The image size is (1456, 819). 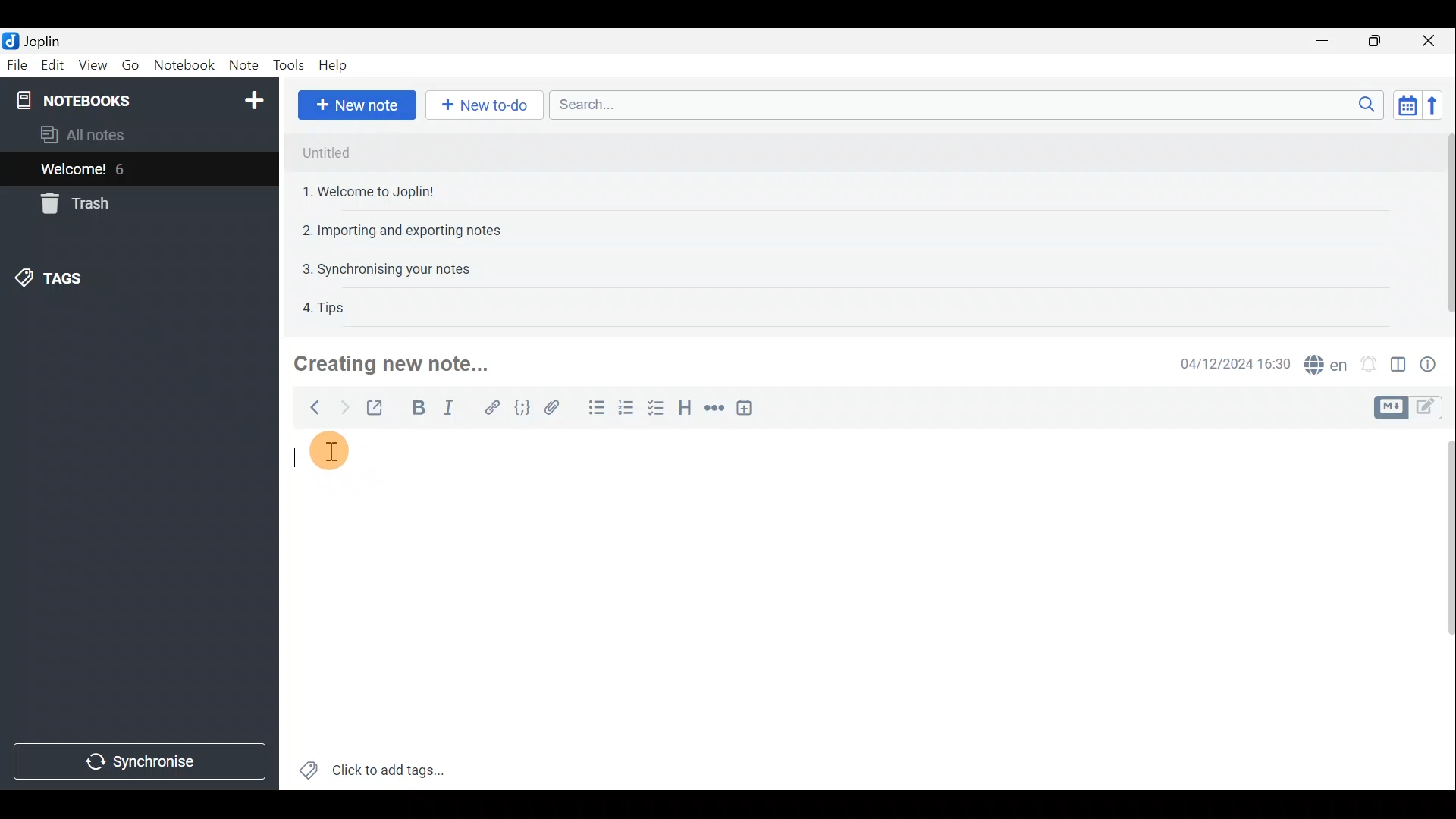 What do you see at coordinates (72, 203) in the screenshot?
I see `Trash` at bounding box center [72, 203].